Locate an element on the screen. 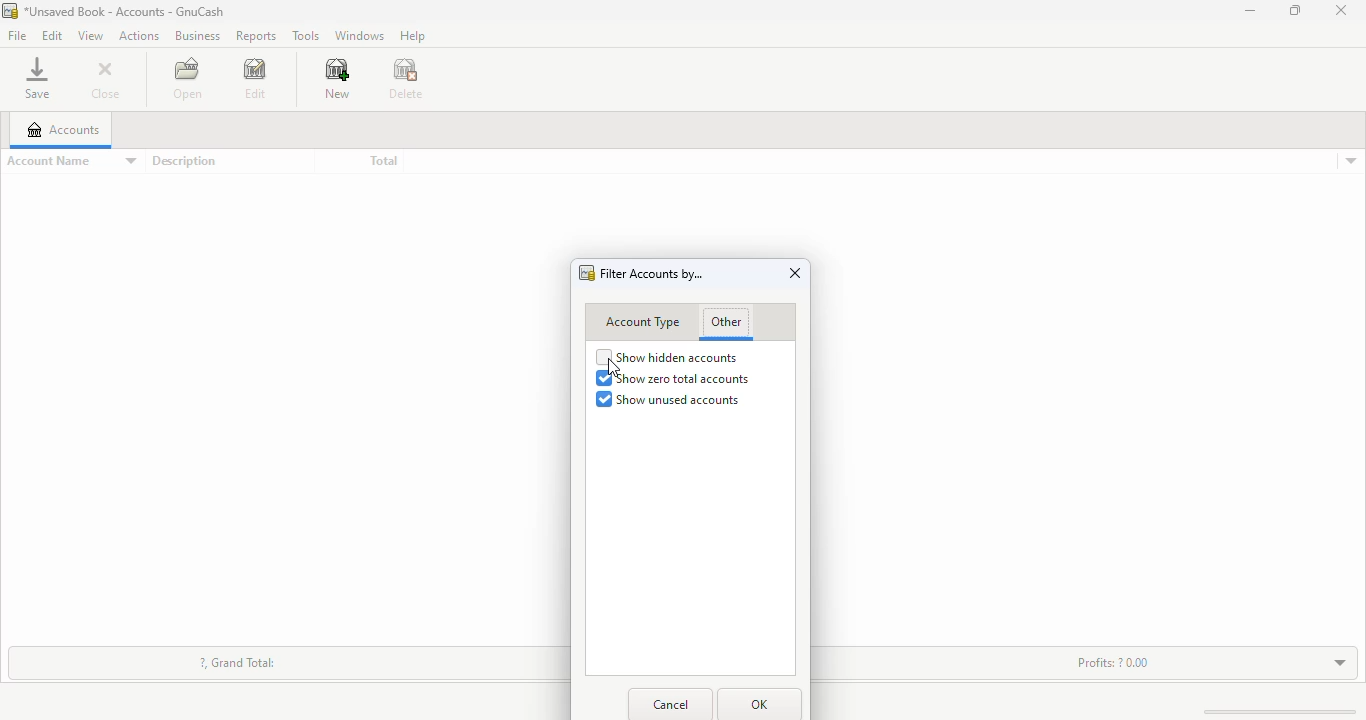 The height and width of the screenshot is (720, 1366). logo is located at coordinates (9, 11).